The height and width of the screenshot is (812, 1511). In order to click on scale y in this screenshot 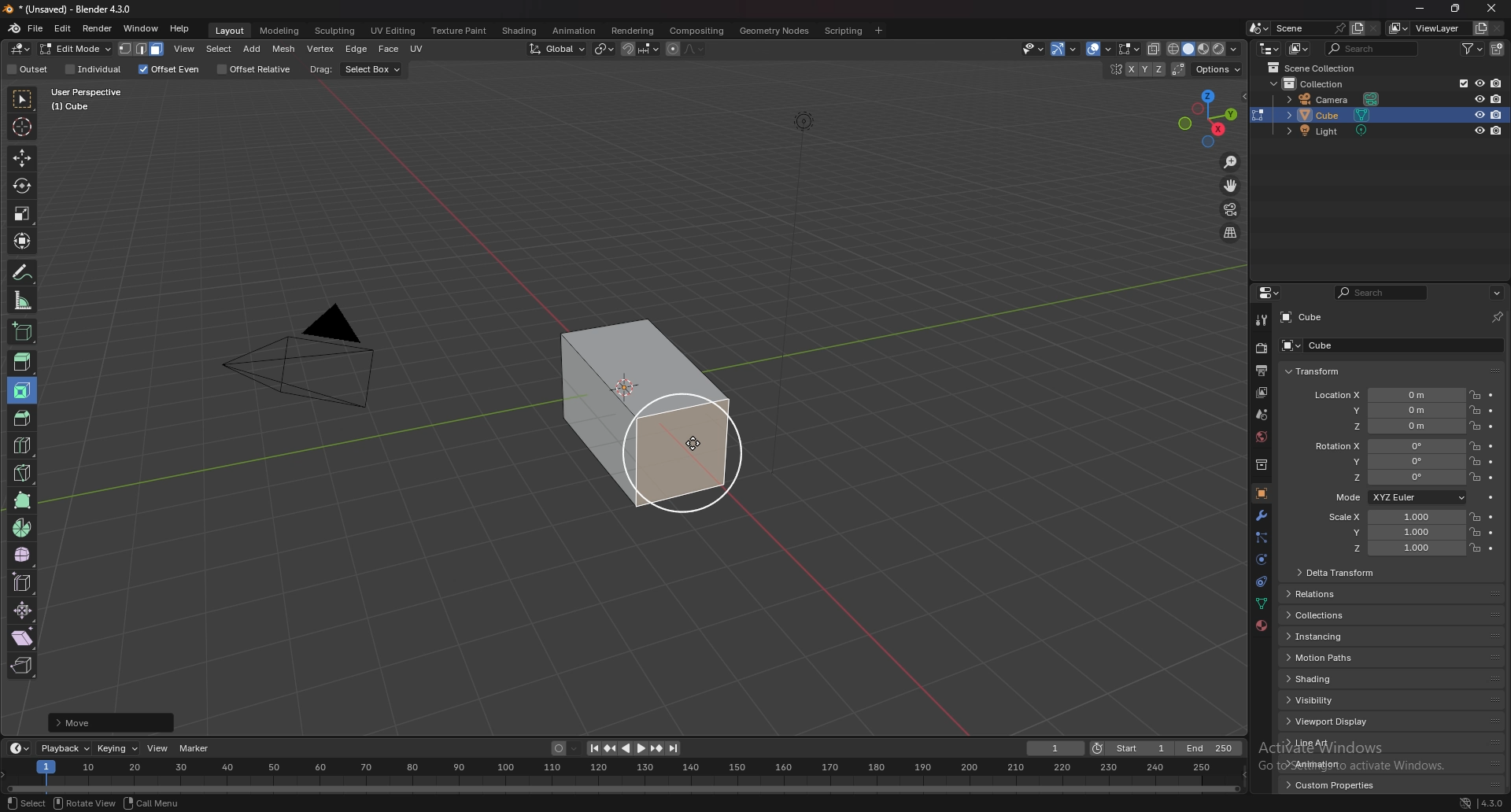, I will do `click(1392, 533)`.